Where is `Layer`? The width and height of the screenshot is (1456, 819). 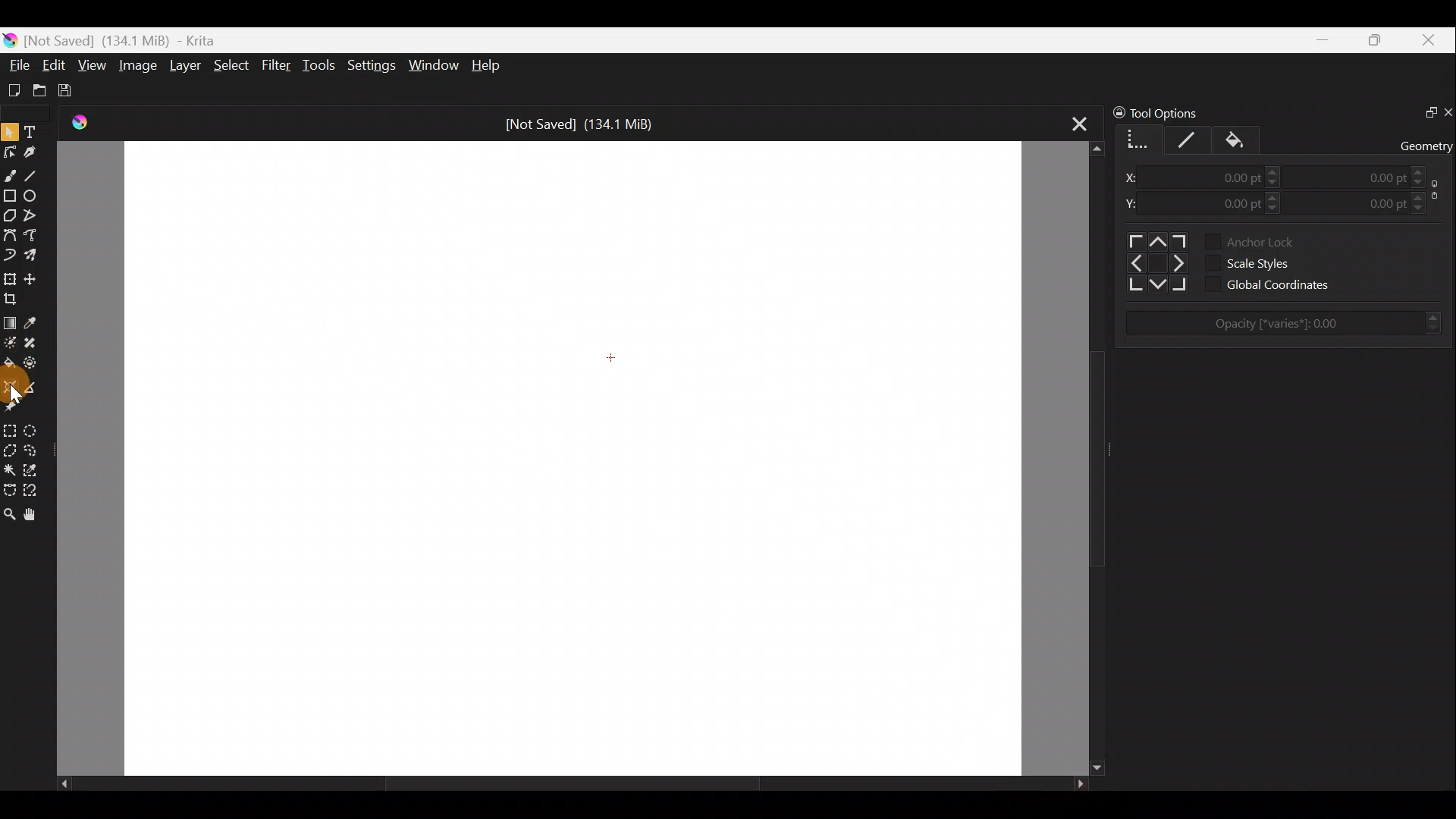 Layer is located at coordinates (184, 66).